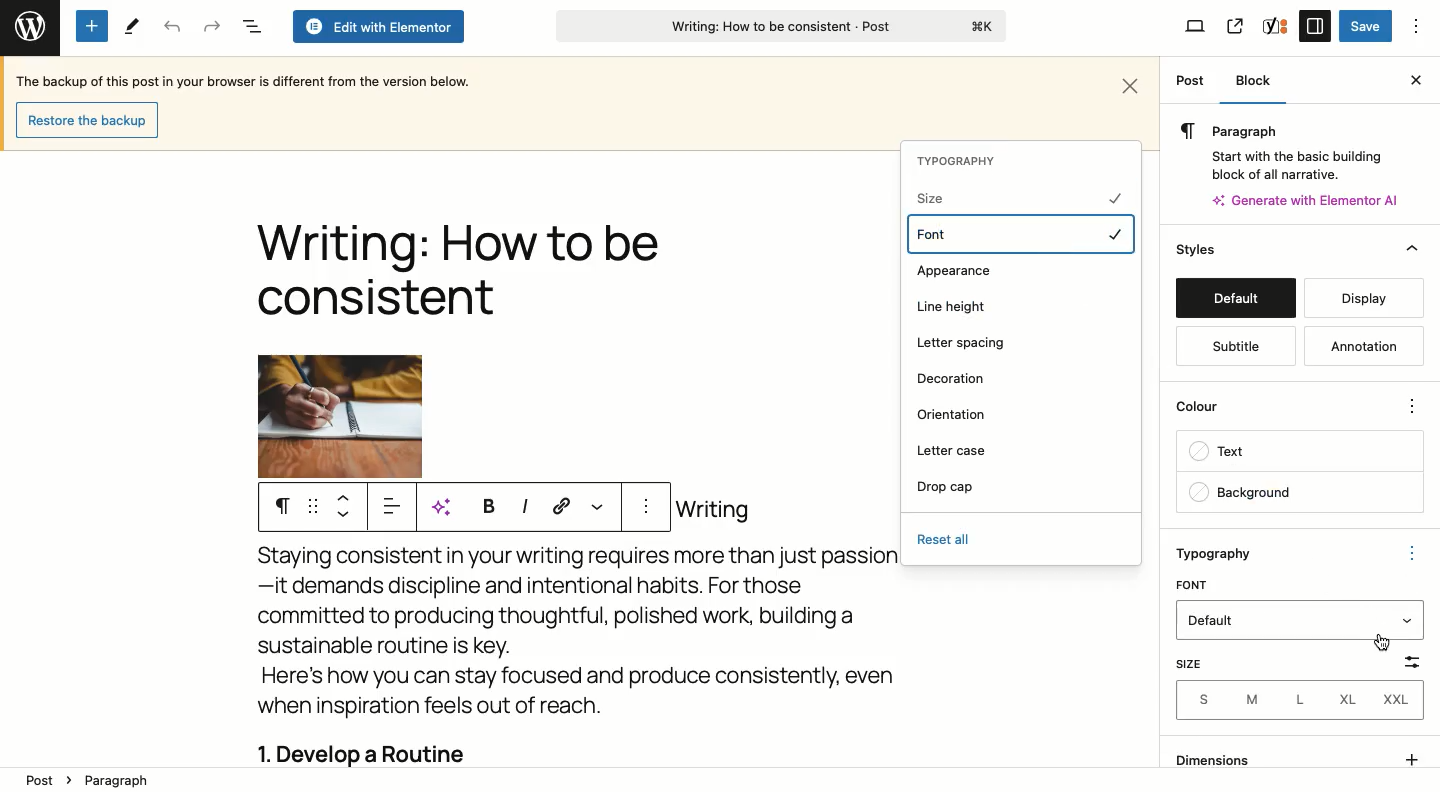 The height and width of the screenshot is (792, 1440). I want to click on Post, so click(34, 782).